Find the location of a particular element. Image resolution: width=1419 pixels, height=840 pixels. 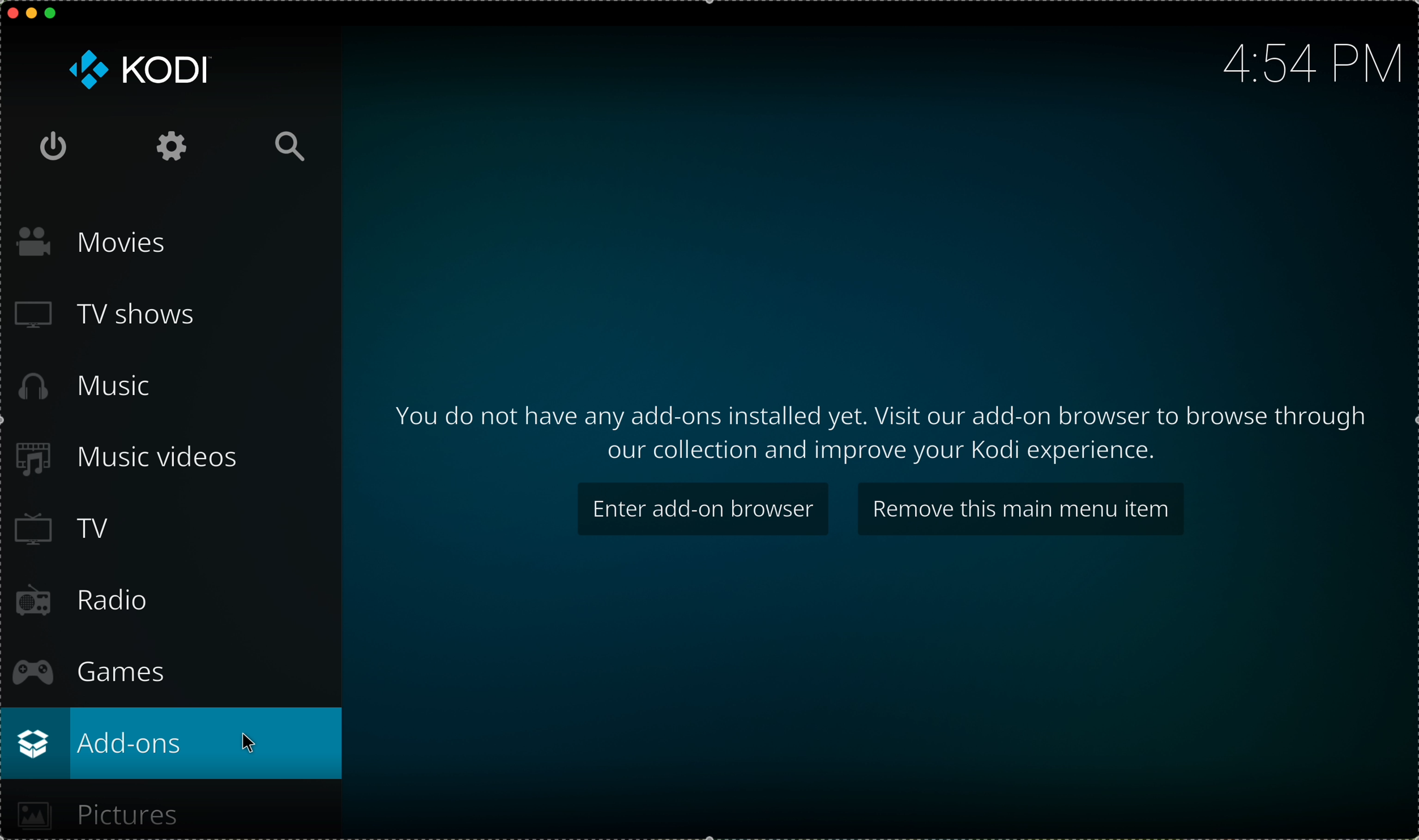

settings is located at coordinates (172, 146).